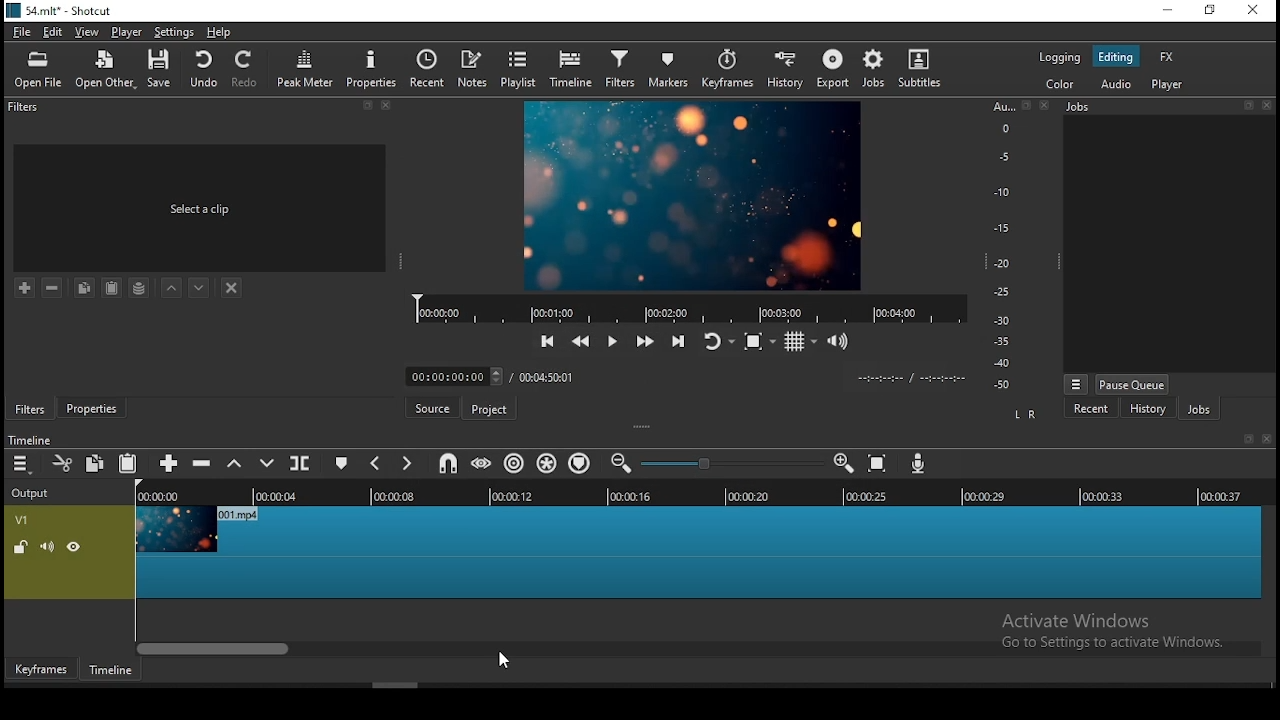 The width and height of the screenshot is (1280, 720). What do you see at coordinates (62, 9) in the screenshot?
I see `icon and file name` at bounding box center [62, 9].